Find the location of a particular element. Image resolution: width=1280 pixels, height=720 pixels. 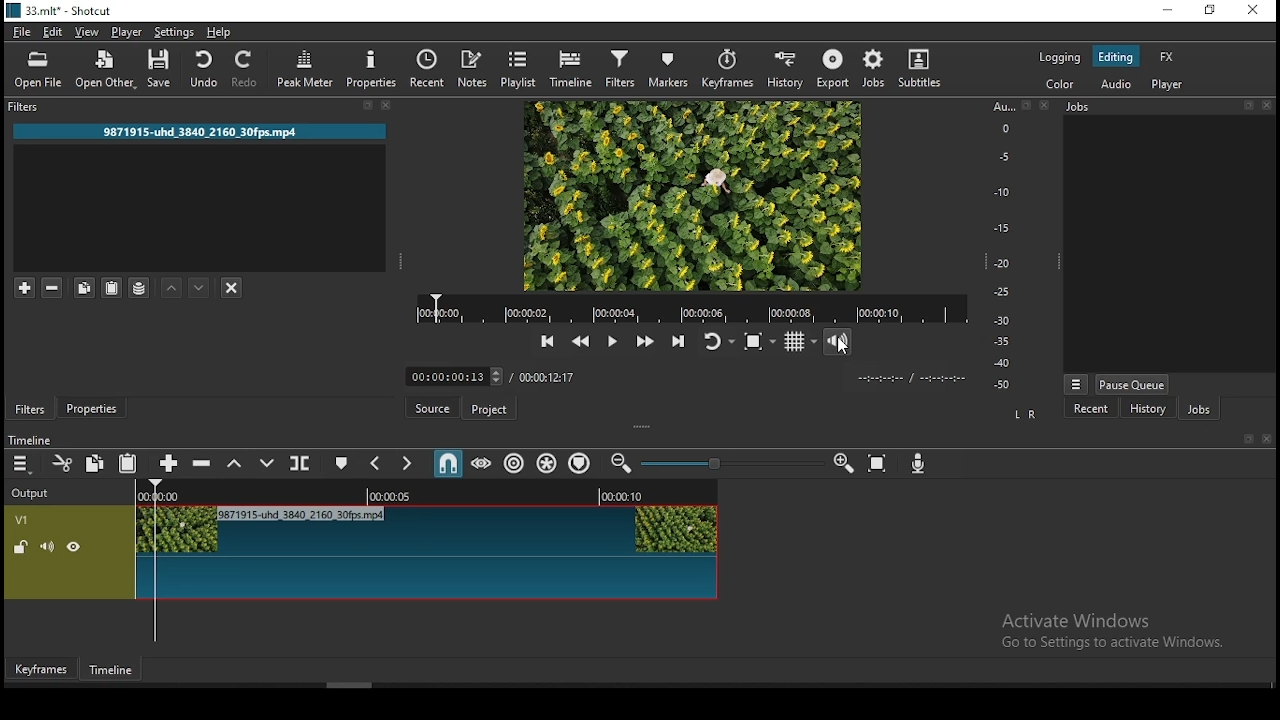

track time is located at coordinates (694, 309).